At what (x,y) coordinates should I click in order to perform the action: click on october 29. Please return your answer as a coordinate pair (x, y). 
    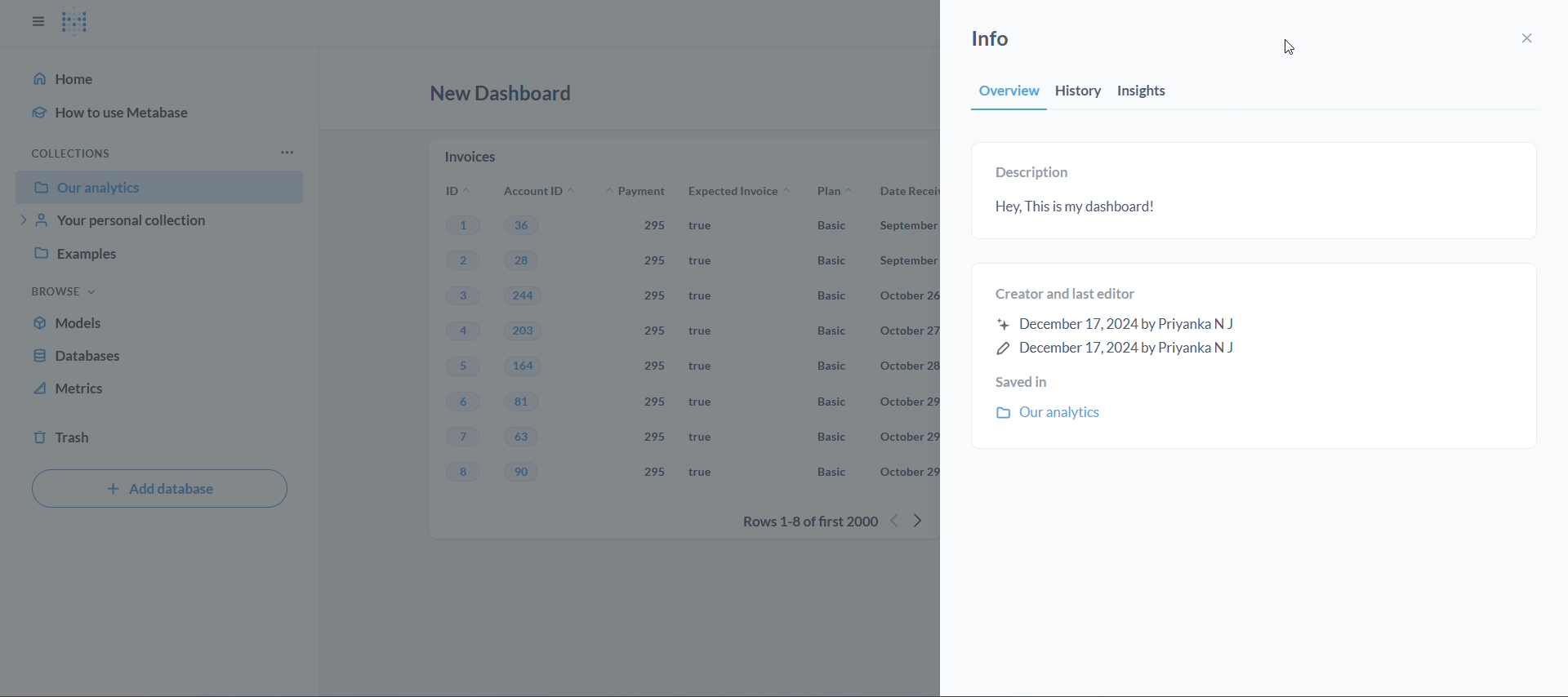
    Looking at the image, I should click on (907, 436).